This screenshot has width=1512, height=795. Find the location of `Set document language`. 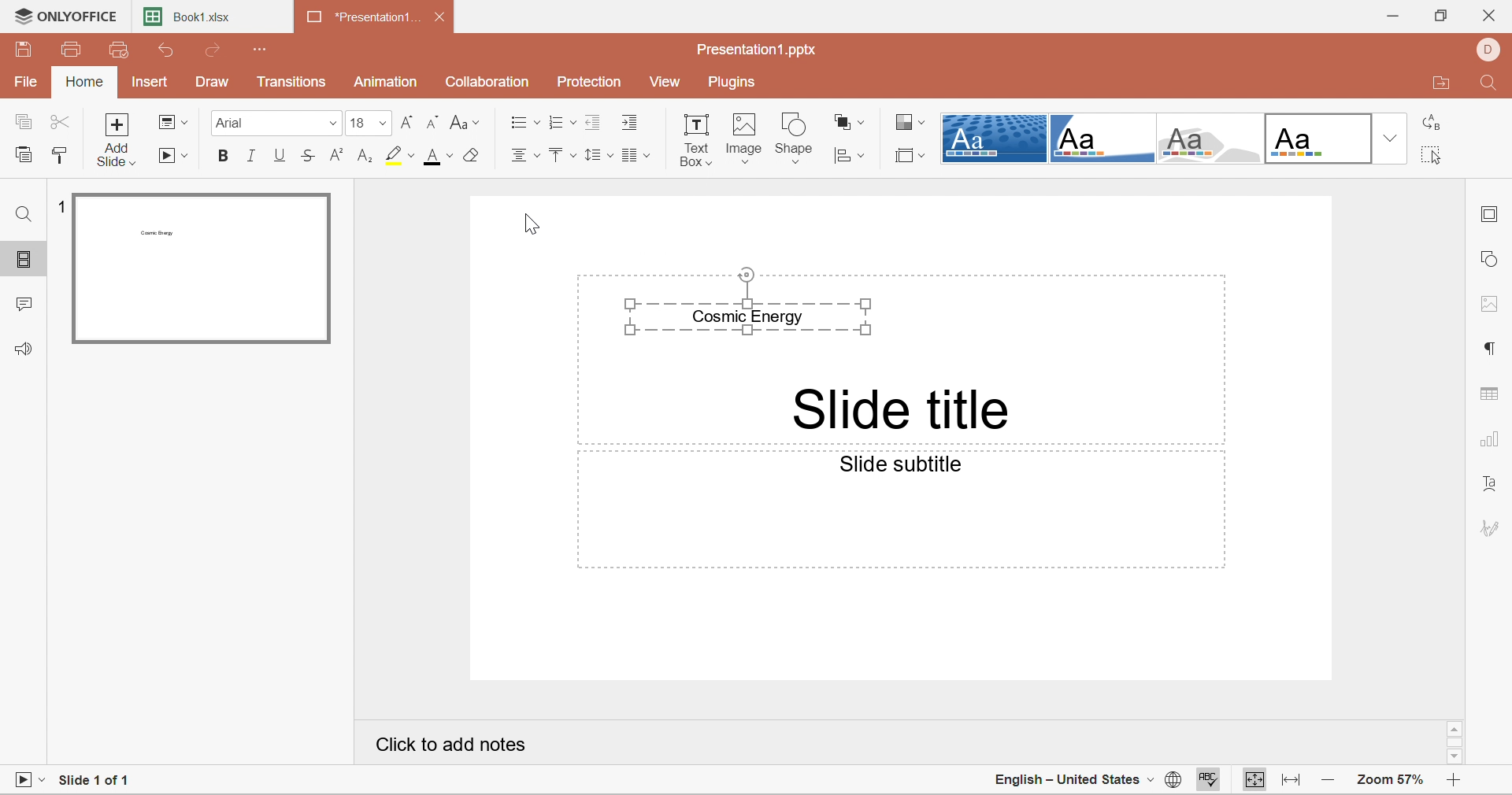

Set document language is located at coordinates (1169, 781).